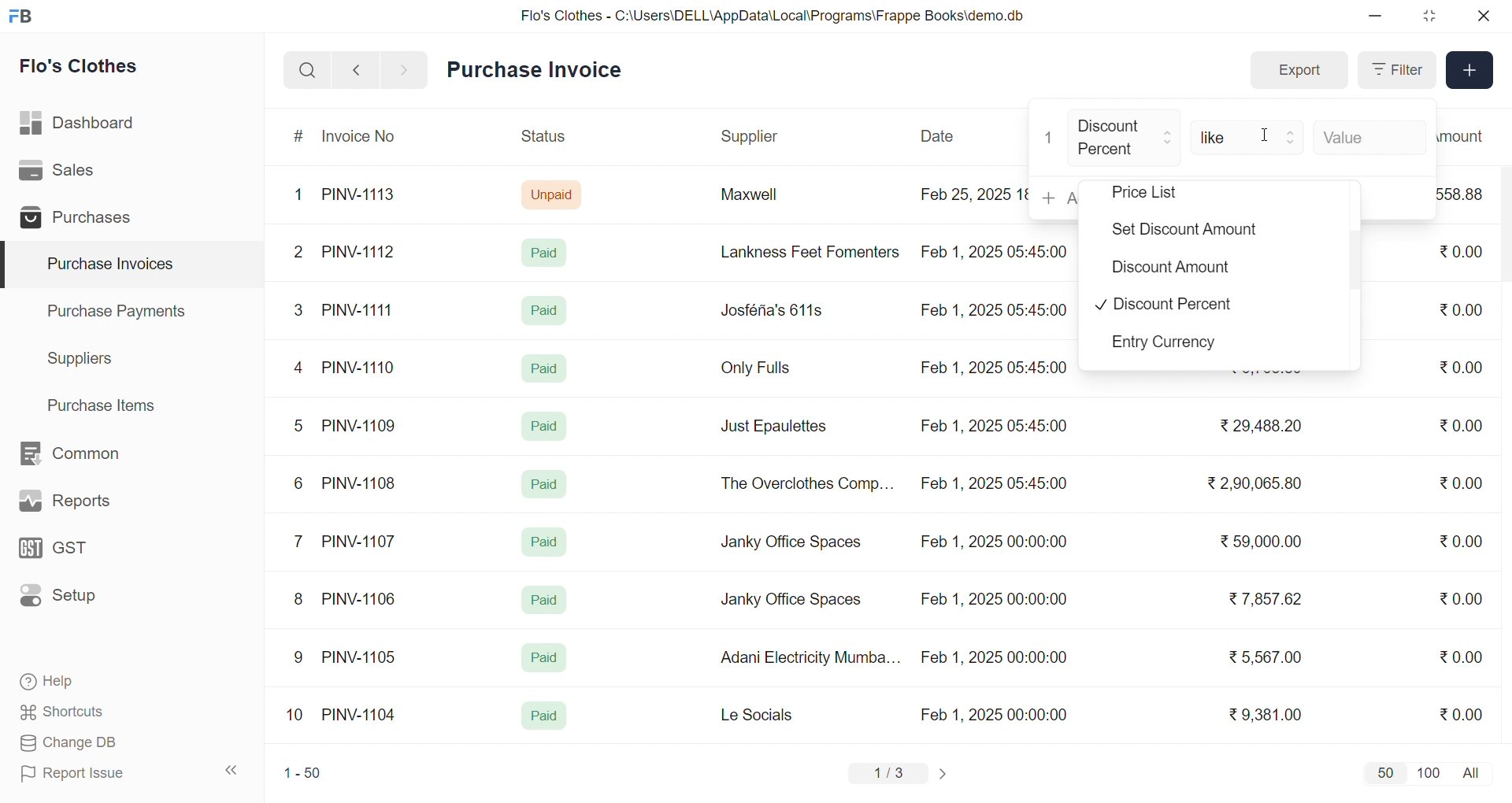  What do you see at coordinates (99, 712) in the screenshot?
I see `Shortcuts` at bounding box center [99, 712].